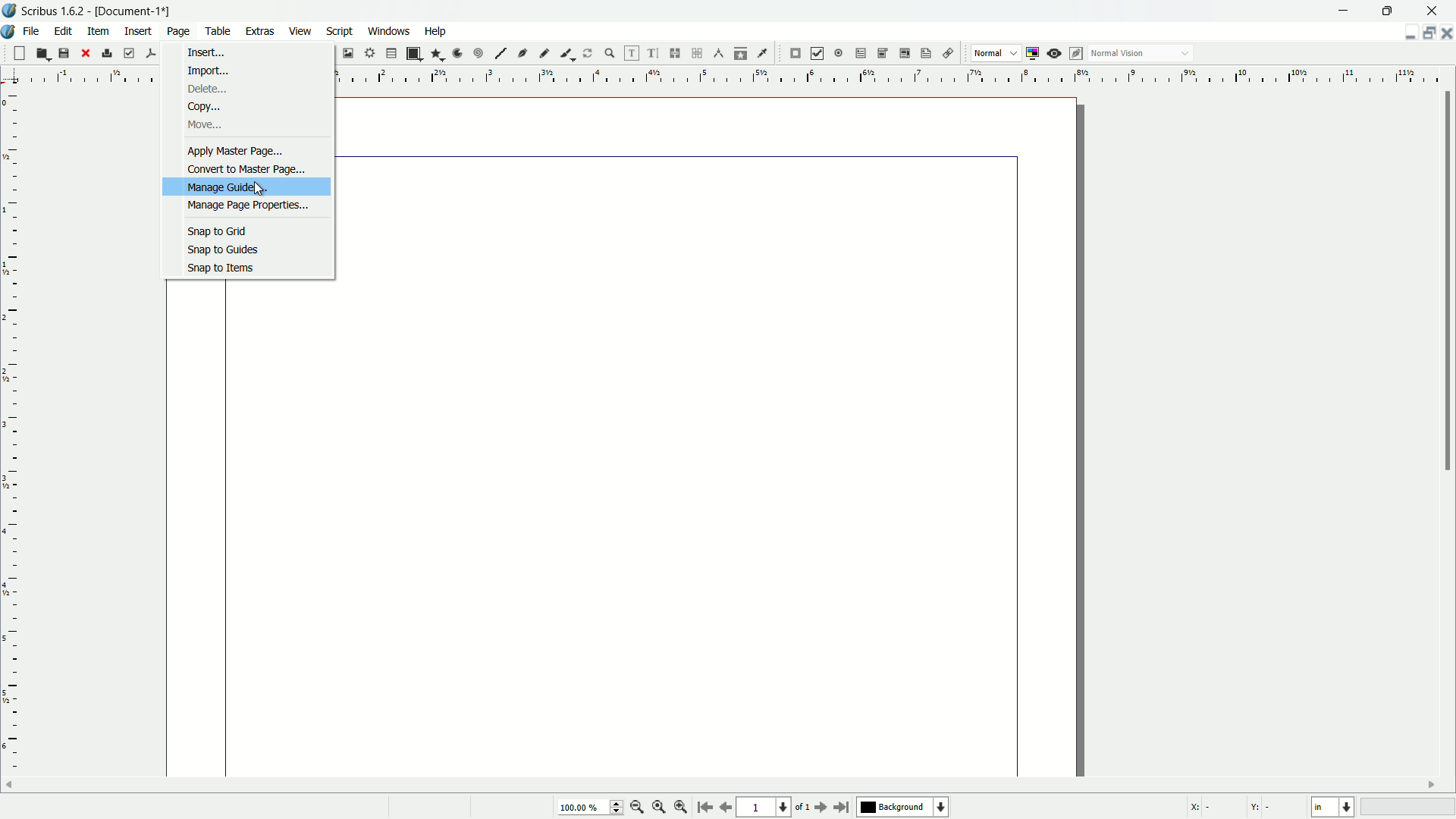 Image resolution: width=1456 pixels, height=819 pixels. I want to click on dropdown, so click(1185, 55).